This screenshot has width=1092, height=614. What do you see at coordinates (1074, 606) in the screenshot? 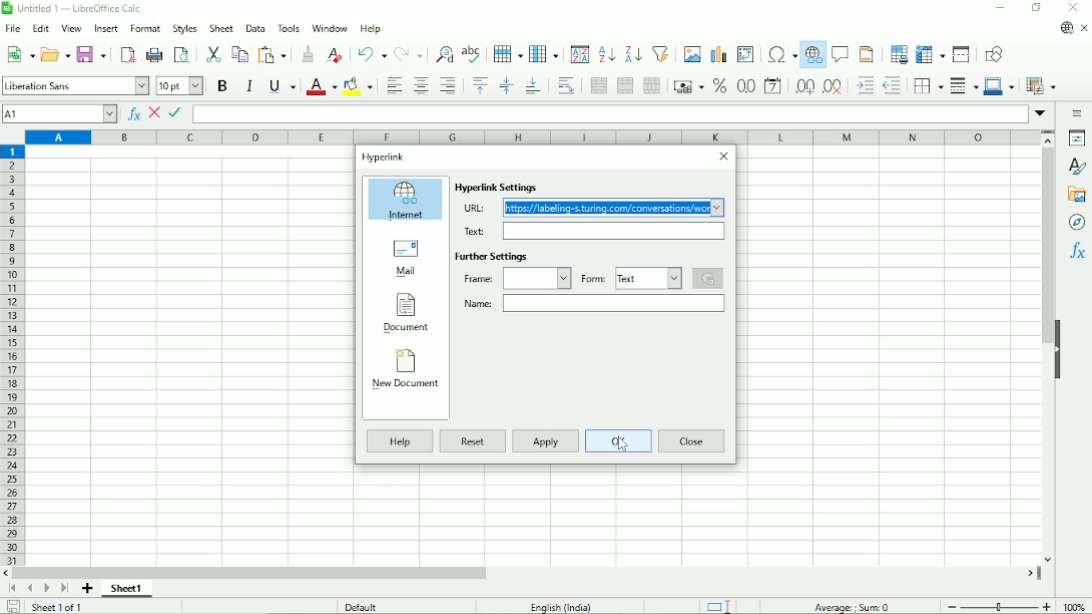
I see `Zoom factor` at bounding box center [1074, 606].